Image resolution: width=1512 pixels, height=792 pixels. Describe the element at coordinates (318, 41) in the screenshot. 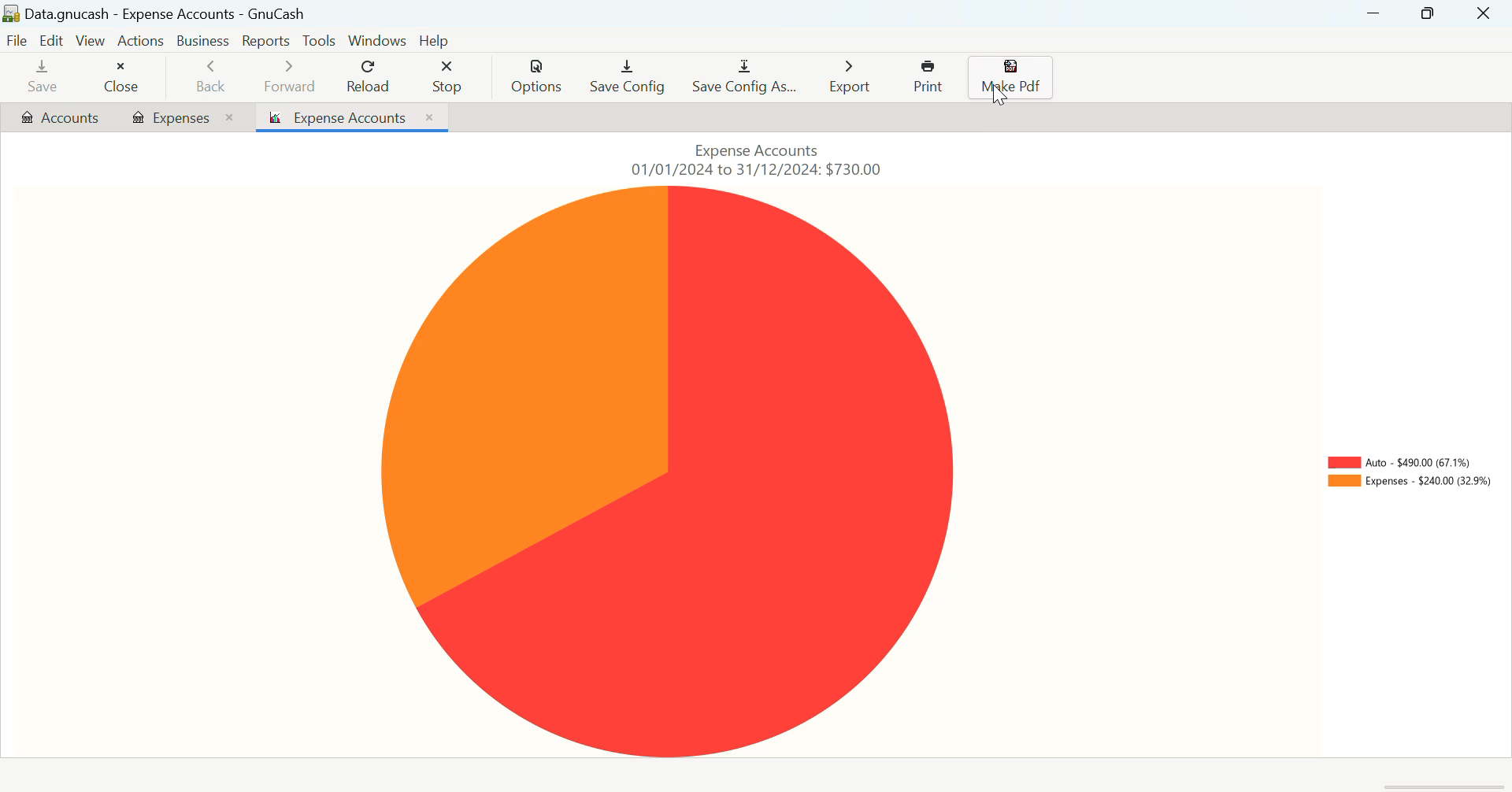

I see `Tools` at that location.